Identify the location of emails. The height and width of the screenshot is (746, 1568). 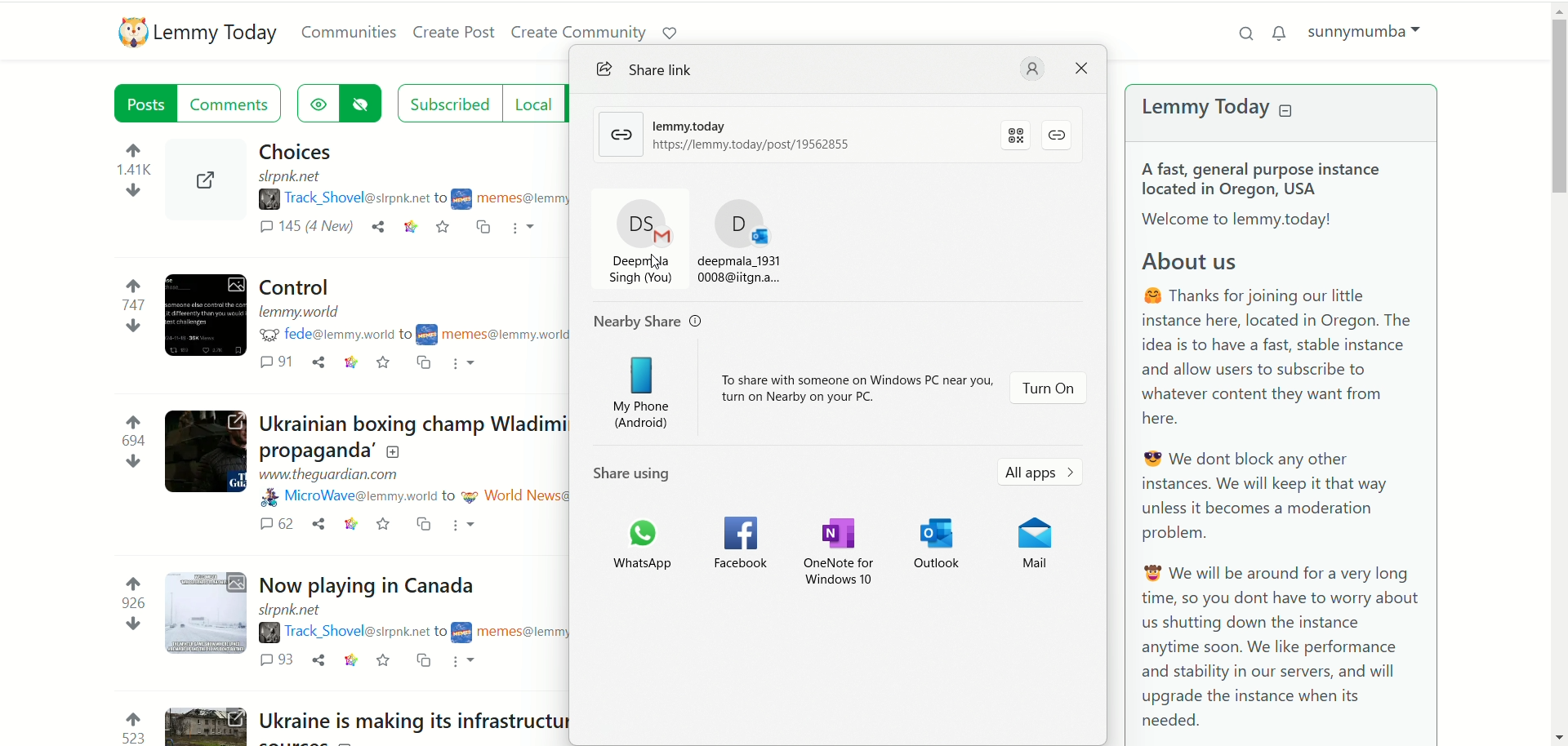
(693, 242).